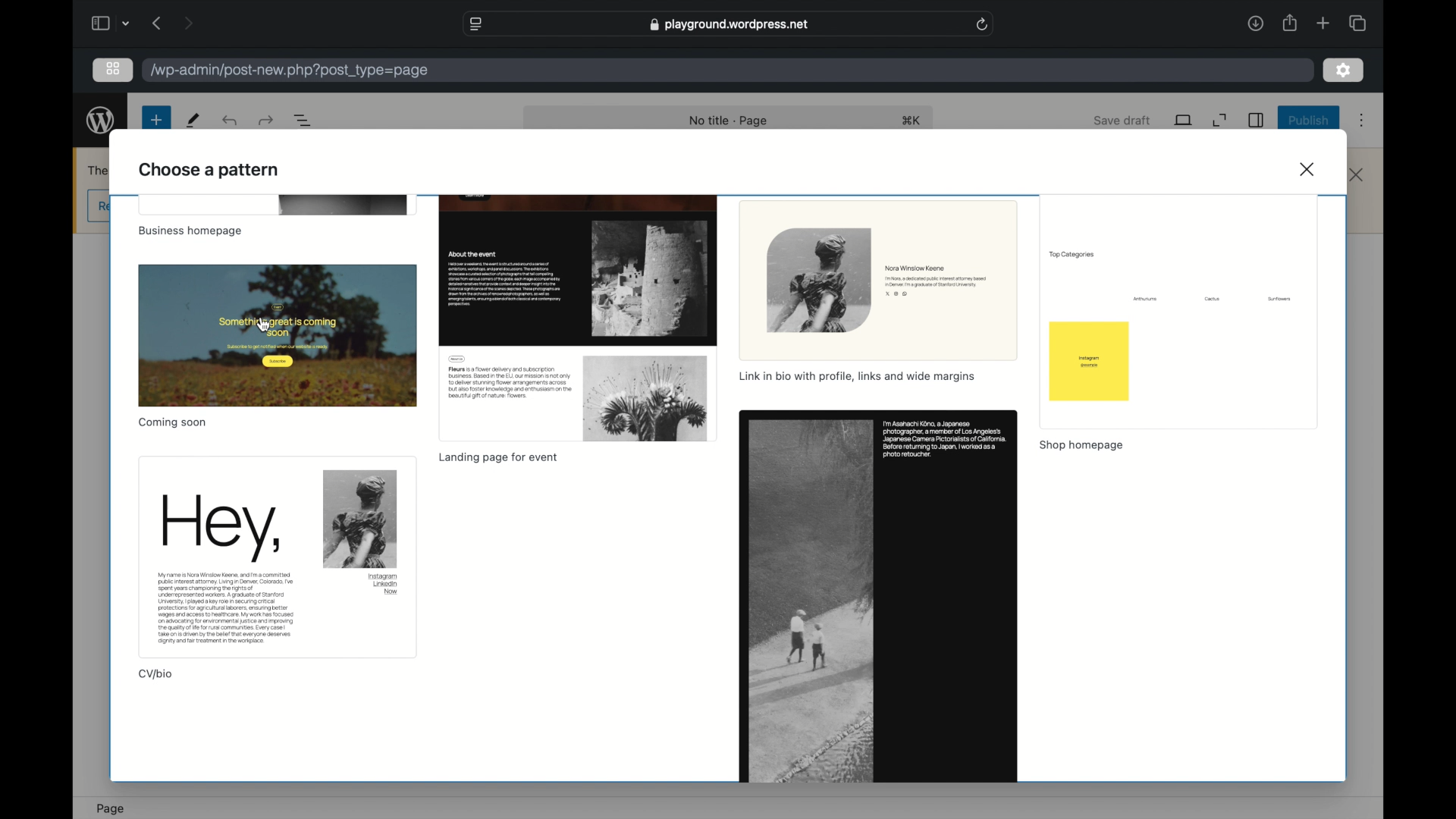  I want to click on dropdown, so click(127, 24).